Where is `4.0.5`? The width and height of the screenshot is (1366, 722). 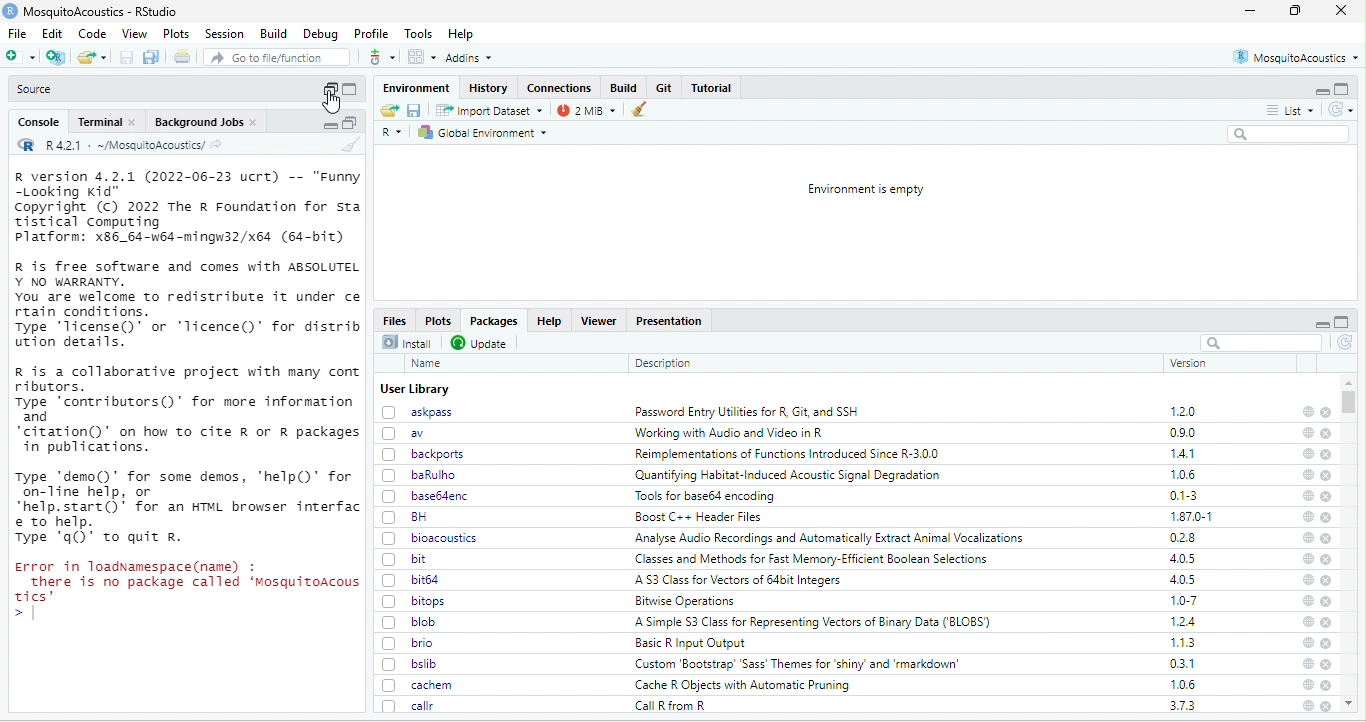 4.0.5 is located at coordinates (1183, 558).